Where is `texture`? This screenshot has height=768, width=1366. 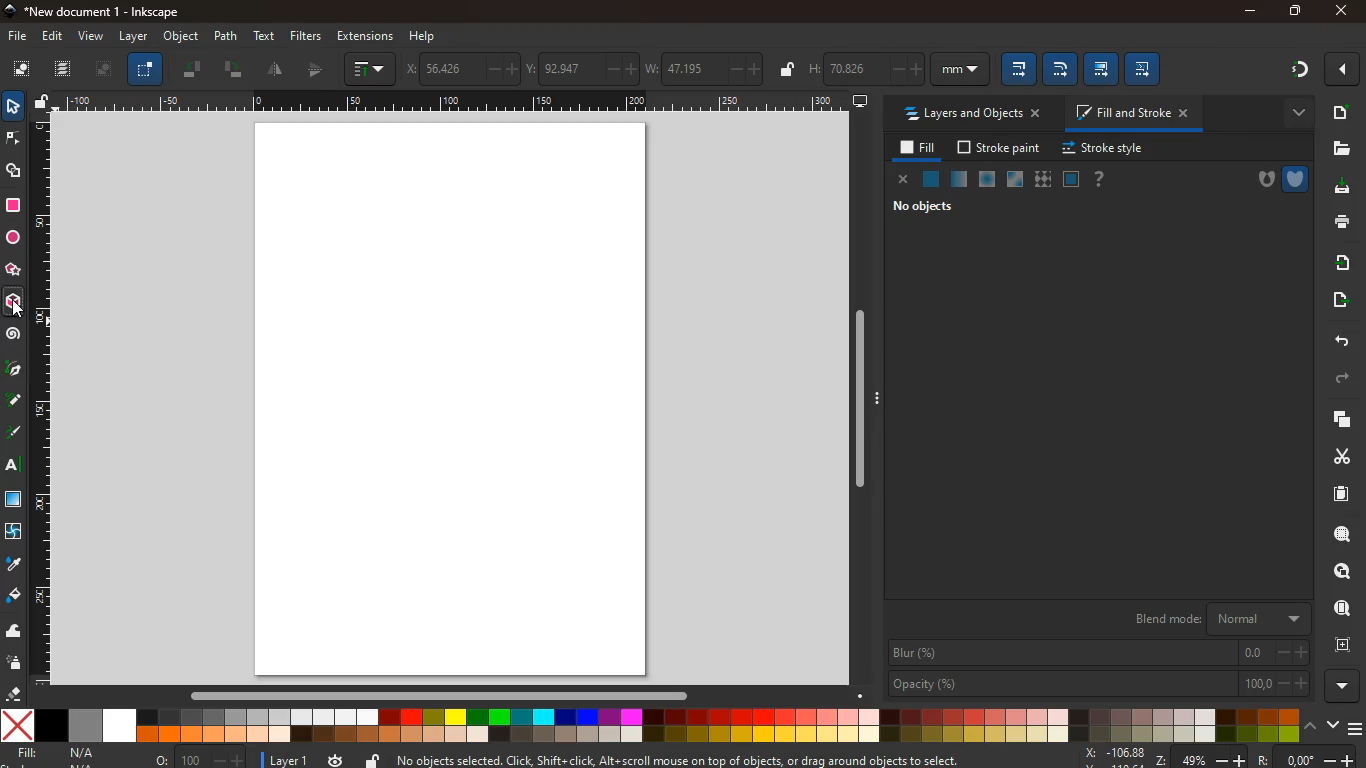 texture is located at coordinates (1043, 179).